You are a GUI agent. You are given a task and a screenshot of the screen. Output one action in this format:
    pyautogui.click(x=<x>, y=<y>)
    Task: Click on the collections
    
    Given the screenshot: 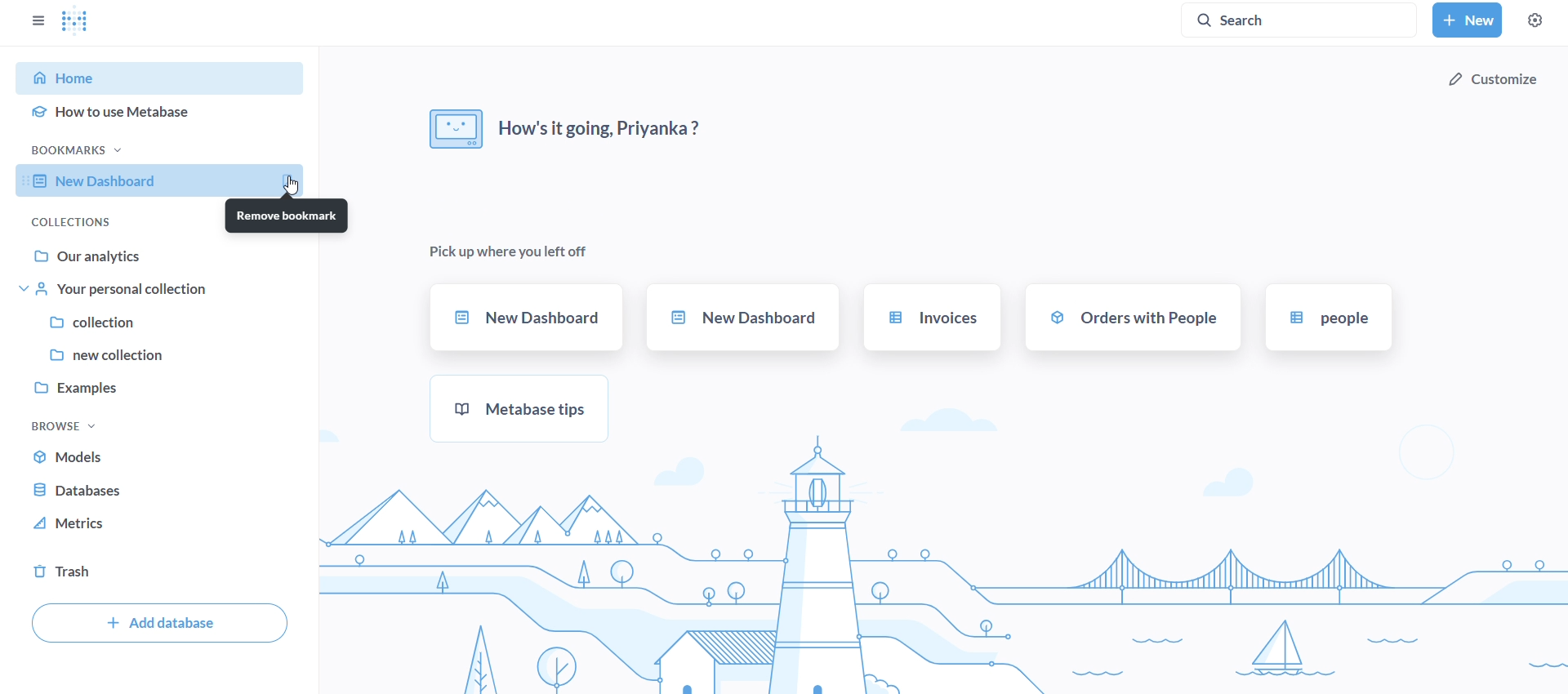 What is the action you would take?
    pyautogui.click(x=69, y=222)
    